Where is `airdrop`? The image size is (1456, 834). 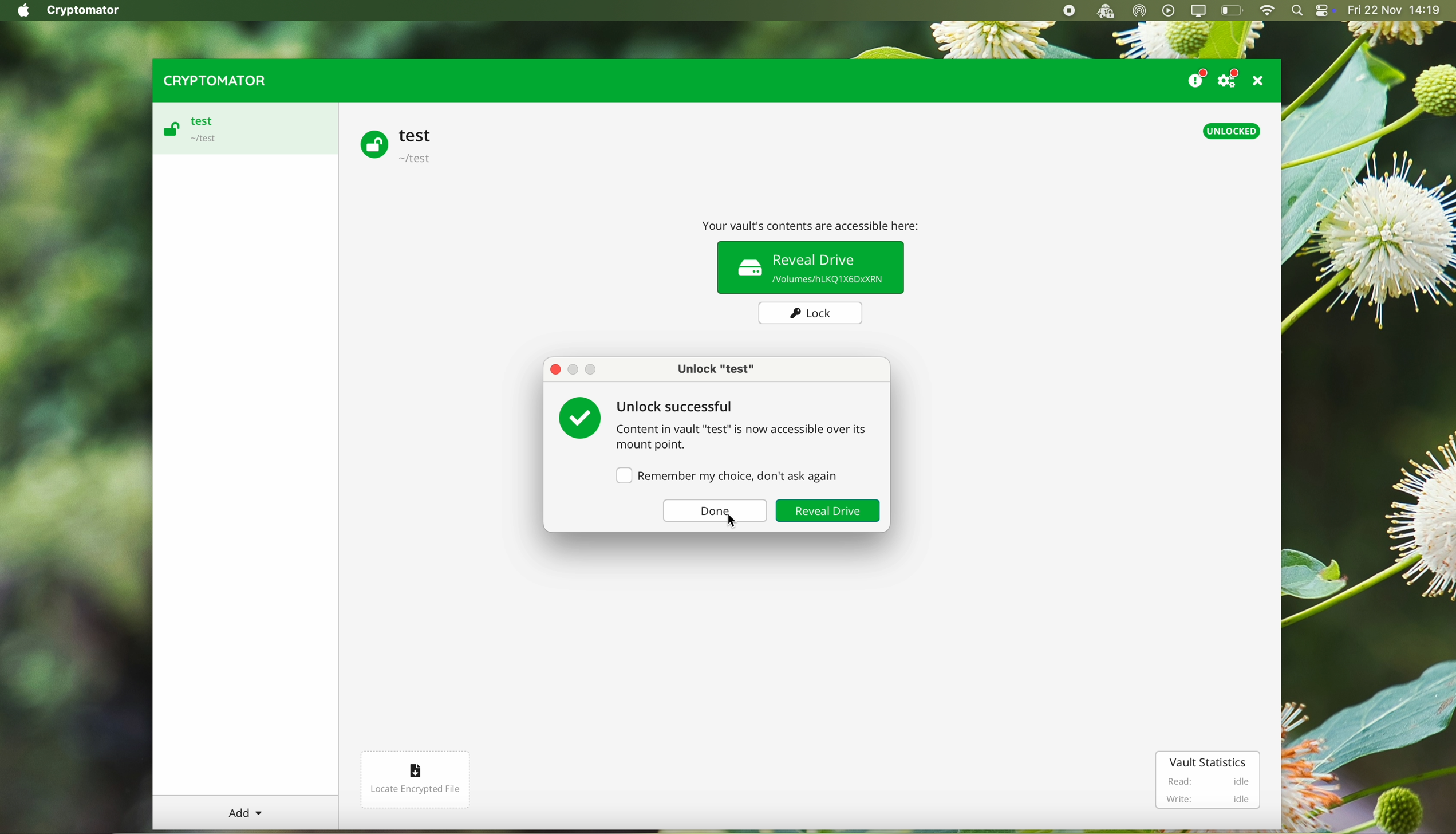 airdrop is located at coordinates (1139, 11).